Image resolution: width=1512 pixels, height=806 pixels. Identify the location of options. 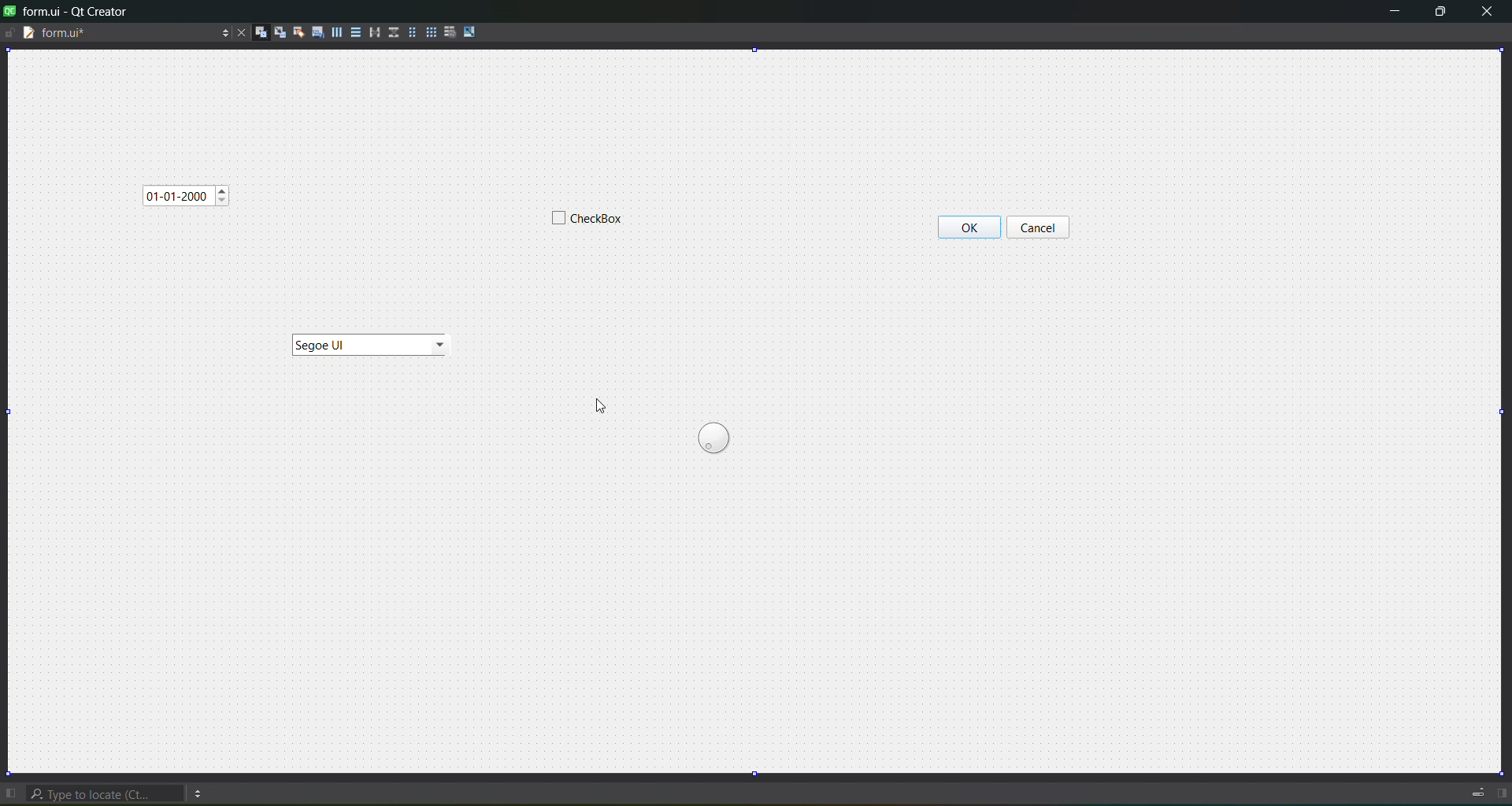
(219, 32).